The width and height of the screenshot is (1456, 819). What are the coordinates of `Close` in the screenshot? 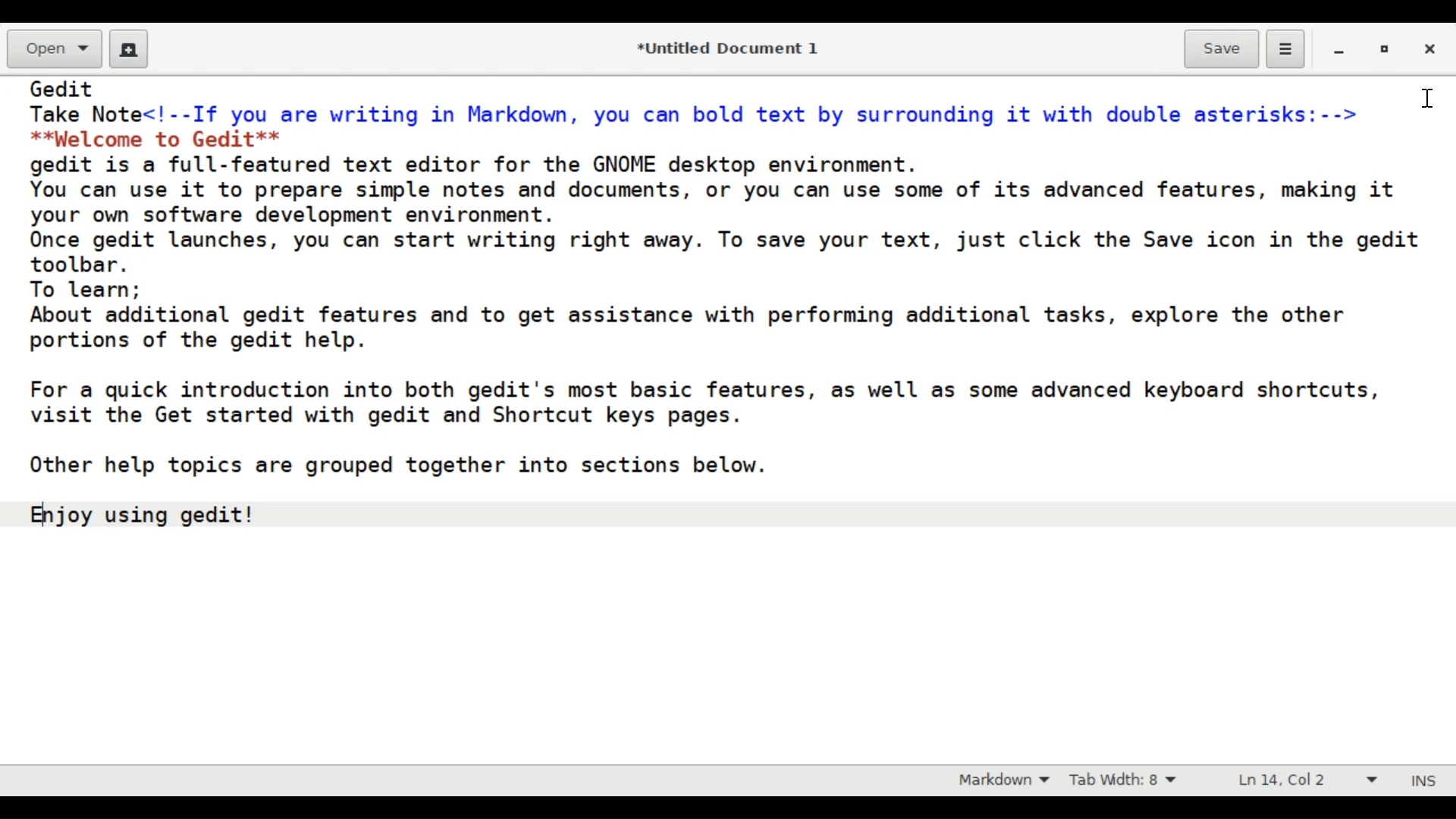 It's located at (1427, 46).